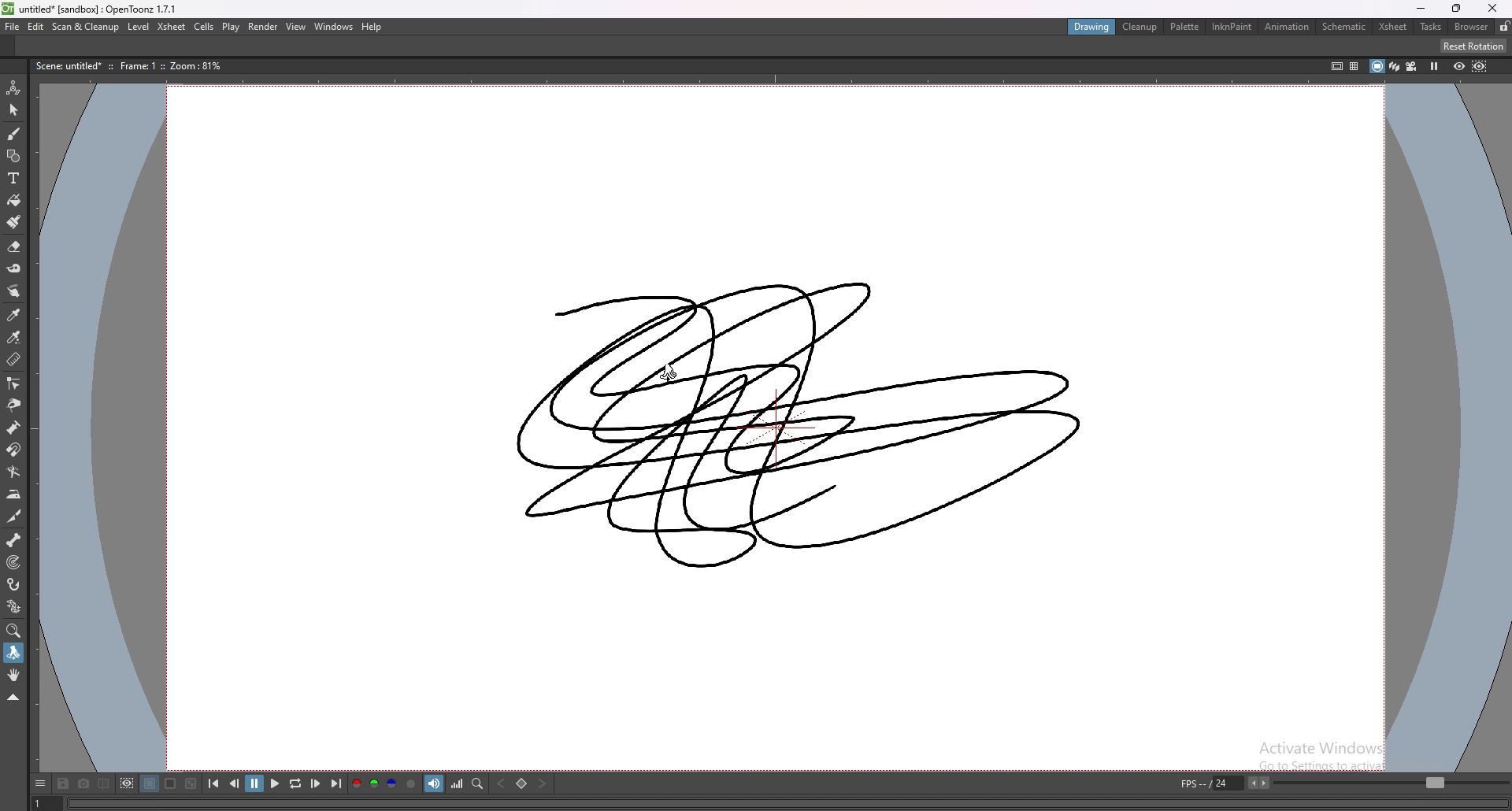 This screenshot has height=811, width=1512. Describe the element at coordinates (15, 268) in the screenshot. I see `tape` at that location.